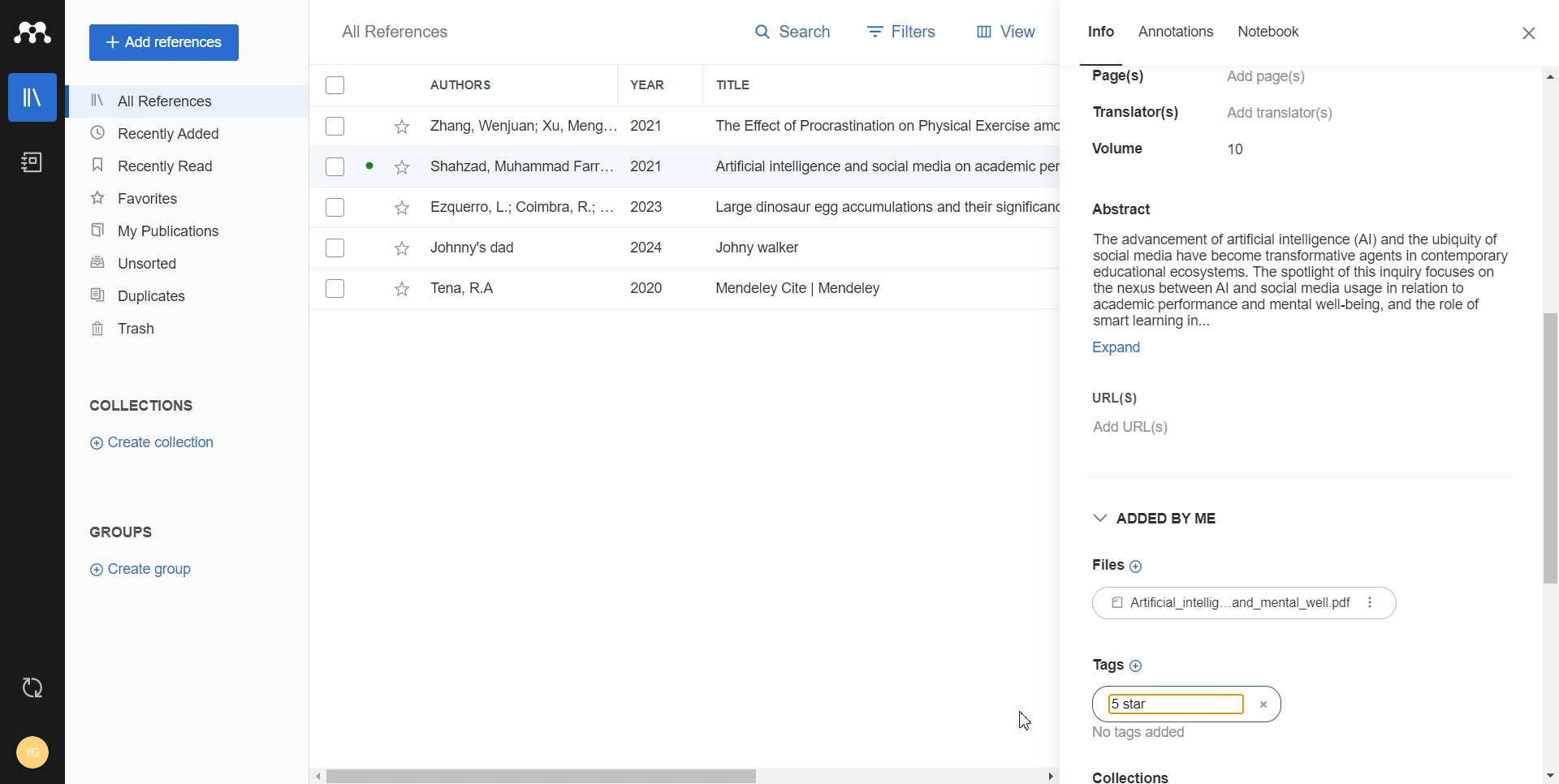 The height and width of the screenshot is (784, 1559). I want to click on File, so click(682, 290).